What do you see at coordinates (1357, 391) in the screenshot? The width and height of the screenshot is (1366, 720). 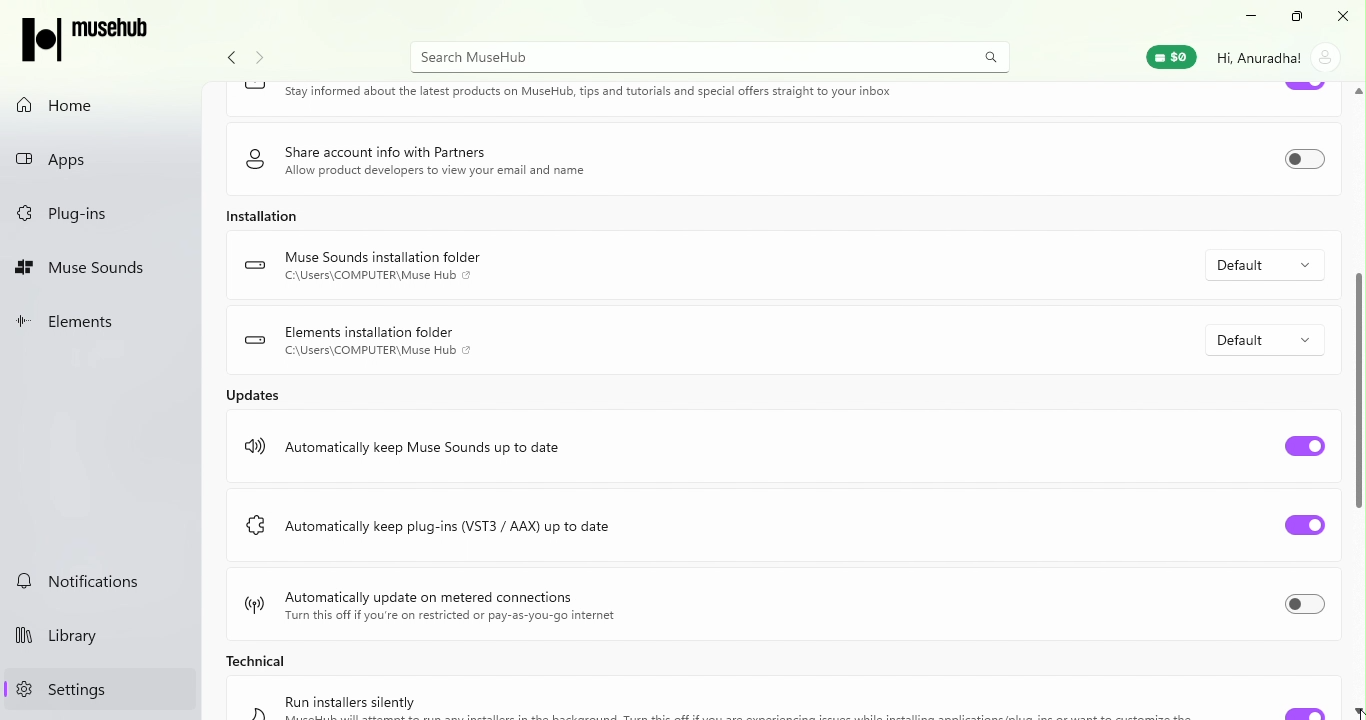 I see `scroll bar` at bounding box center [1357, 391].